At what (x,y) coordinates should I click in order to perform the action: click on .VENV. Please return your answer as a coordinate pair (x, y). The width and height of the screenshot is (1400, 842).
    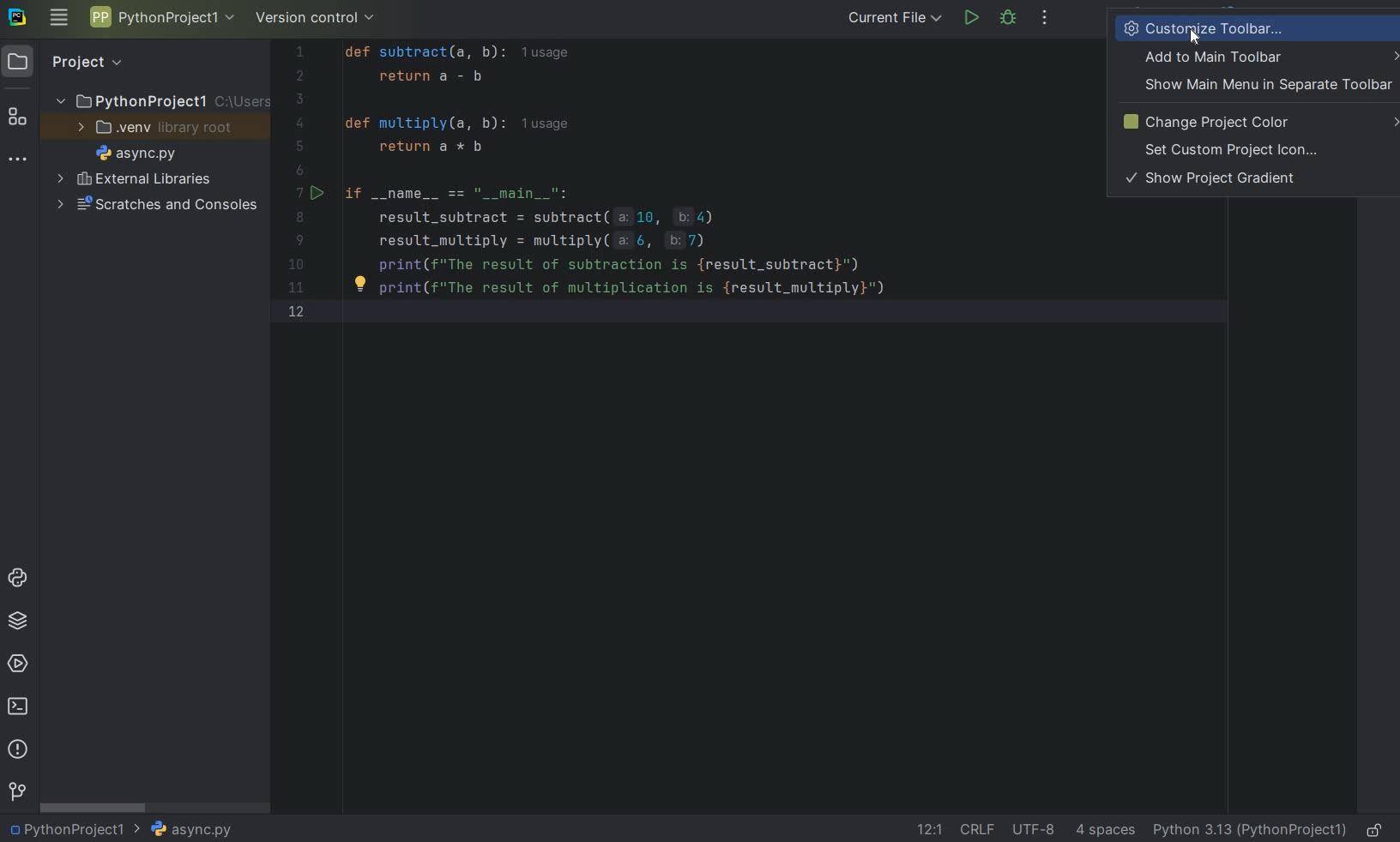
    Looking at the image, I should click on (155, 128).